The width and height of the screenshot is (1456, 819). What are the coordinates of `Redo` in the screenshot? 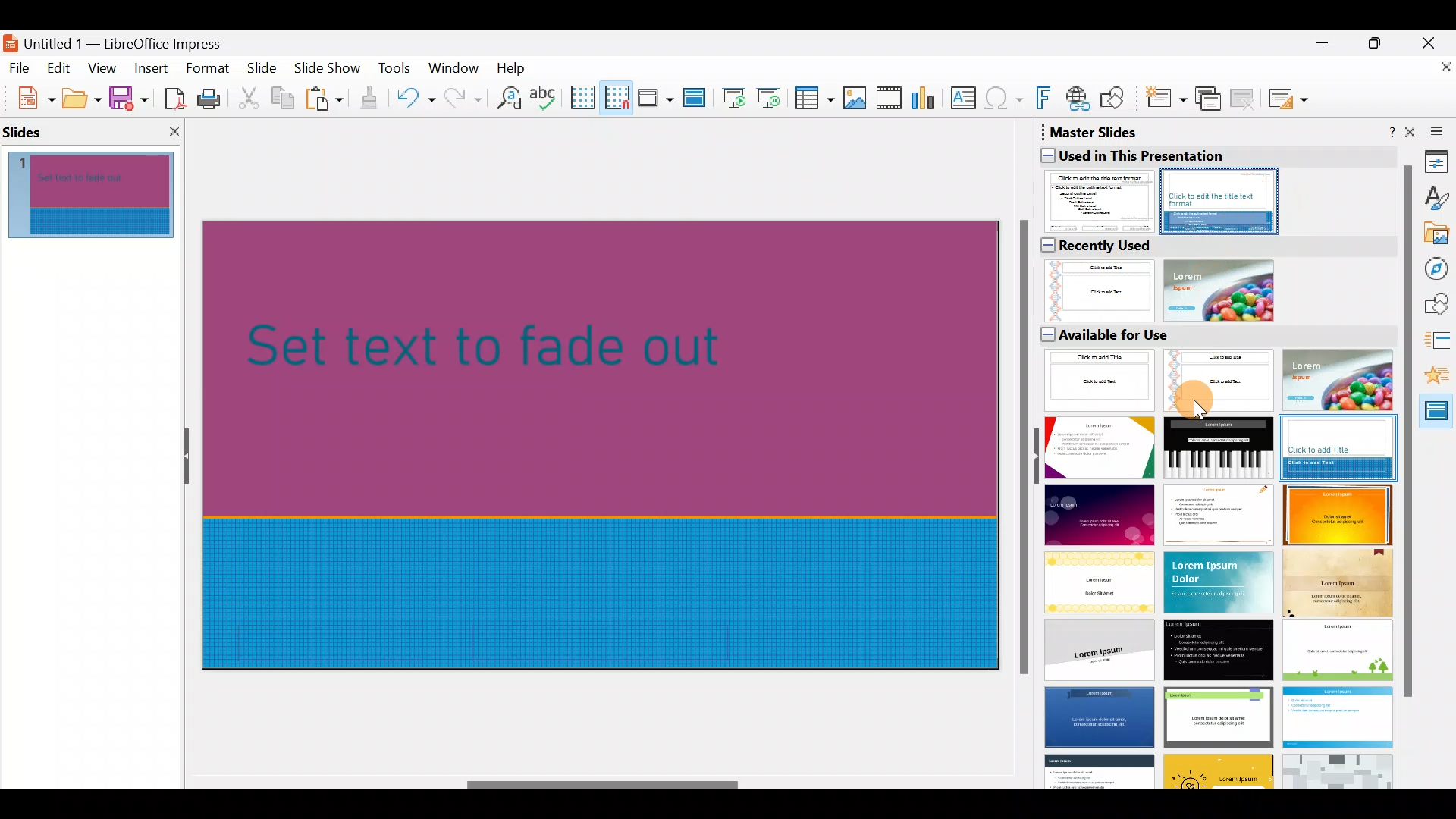 It's located at (461, 98).